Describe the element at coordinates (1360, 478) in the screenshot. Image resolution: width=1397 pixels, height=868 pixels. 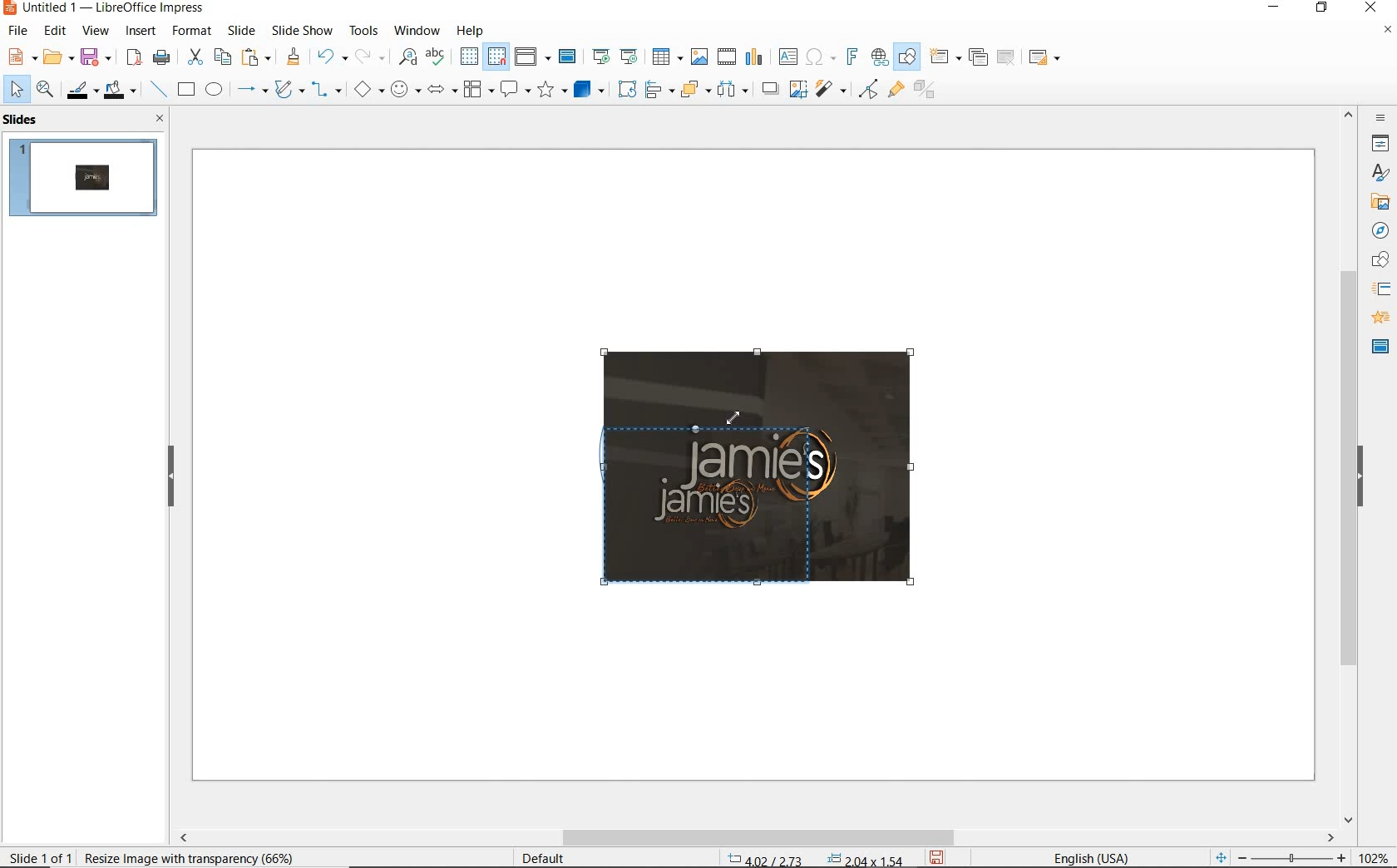
I see `hide` at that location.